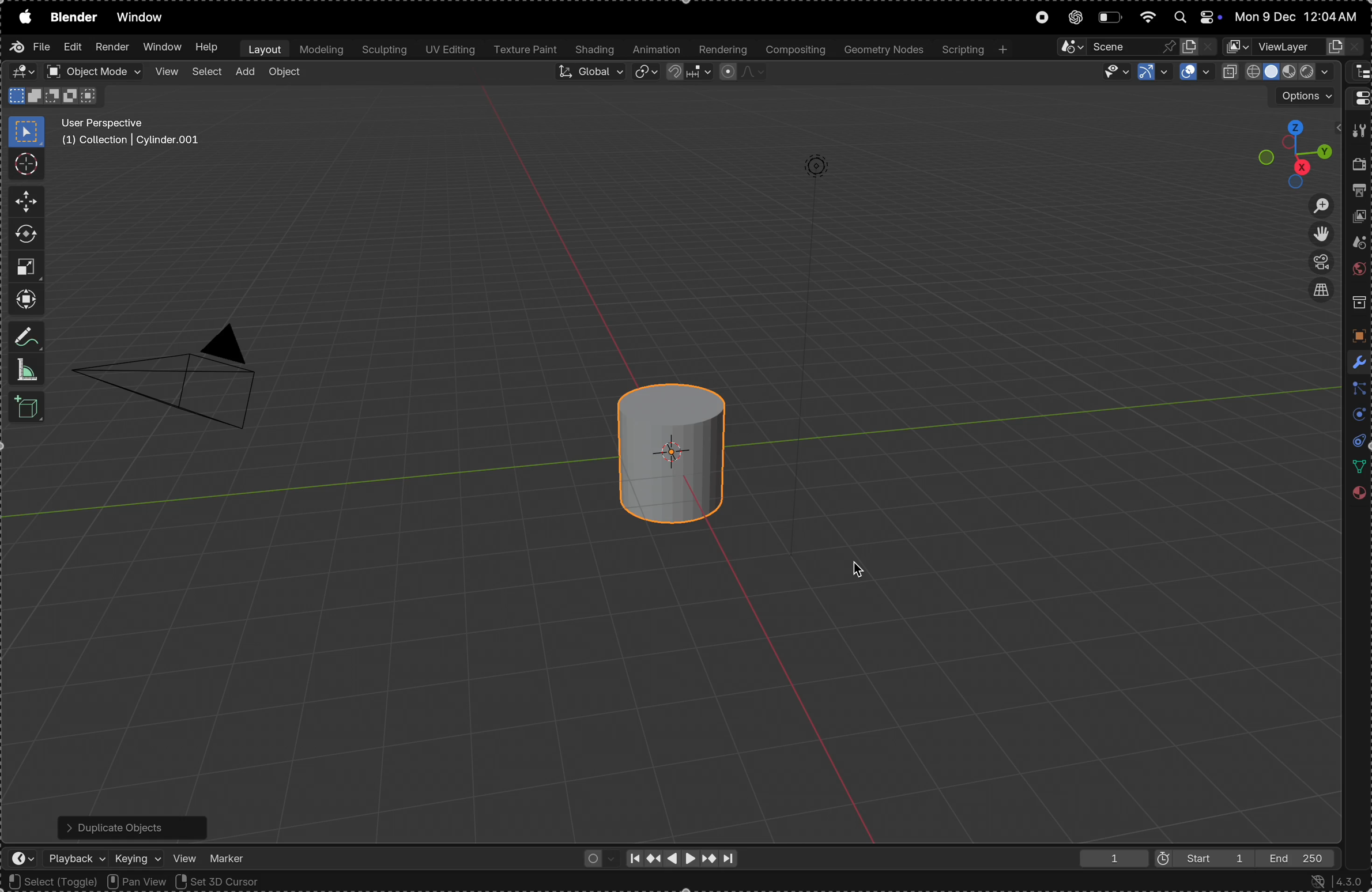 Image resolution: width=1372 pixels, height=892 pixels. I want to click on view layer, so click(1360, 219).